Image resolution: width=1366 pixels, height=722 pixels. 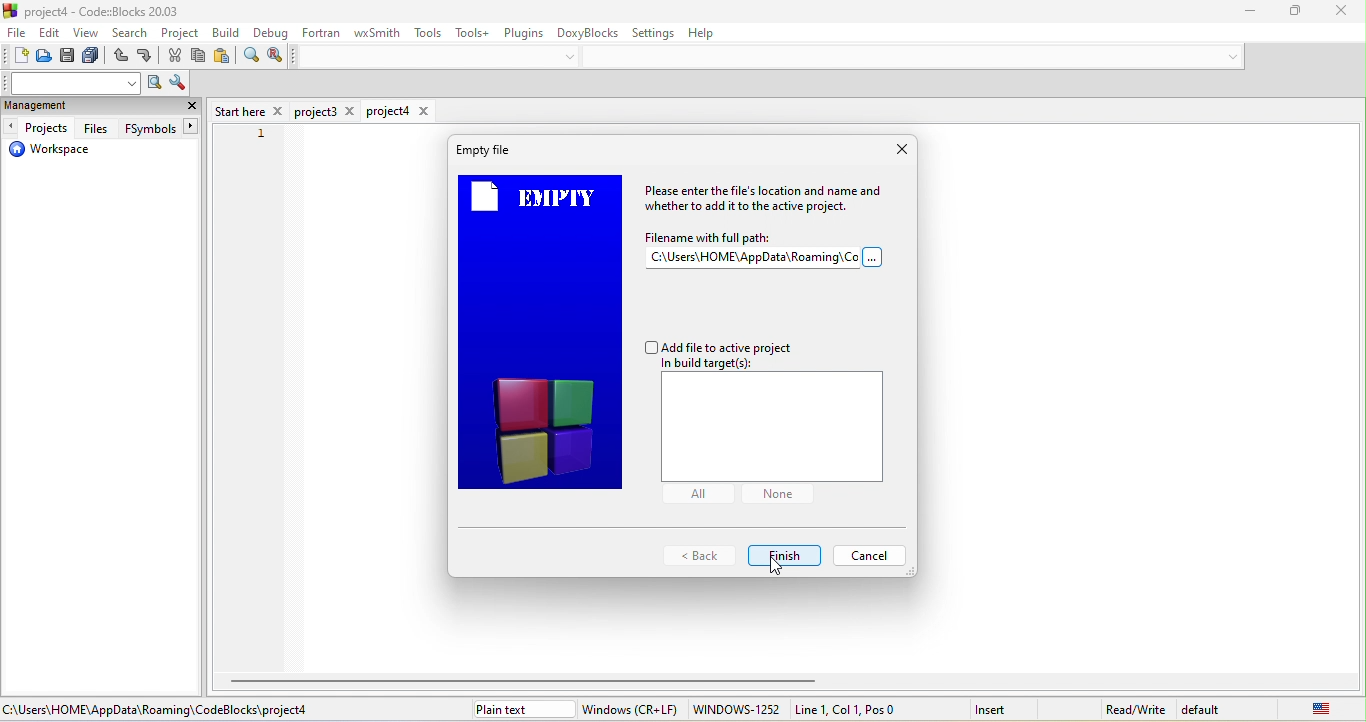 I want to click on show option window, so click(x=177, y=84).